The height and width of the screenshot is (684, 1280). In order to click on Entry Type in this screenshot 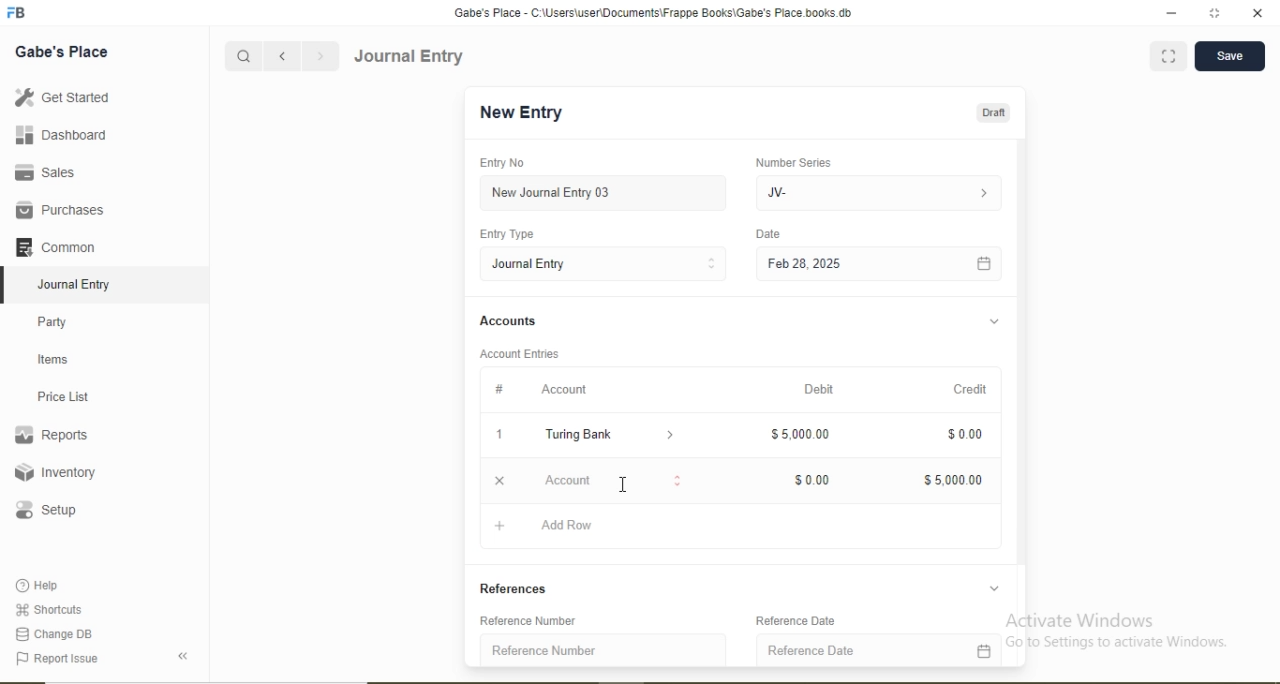, I will do `click(505, 234)`.